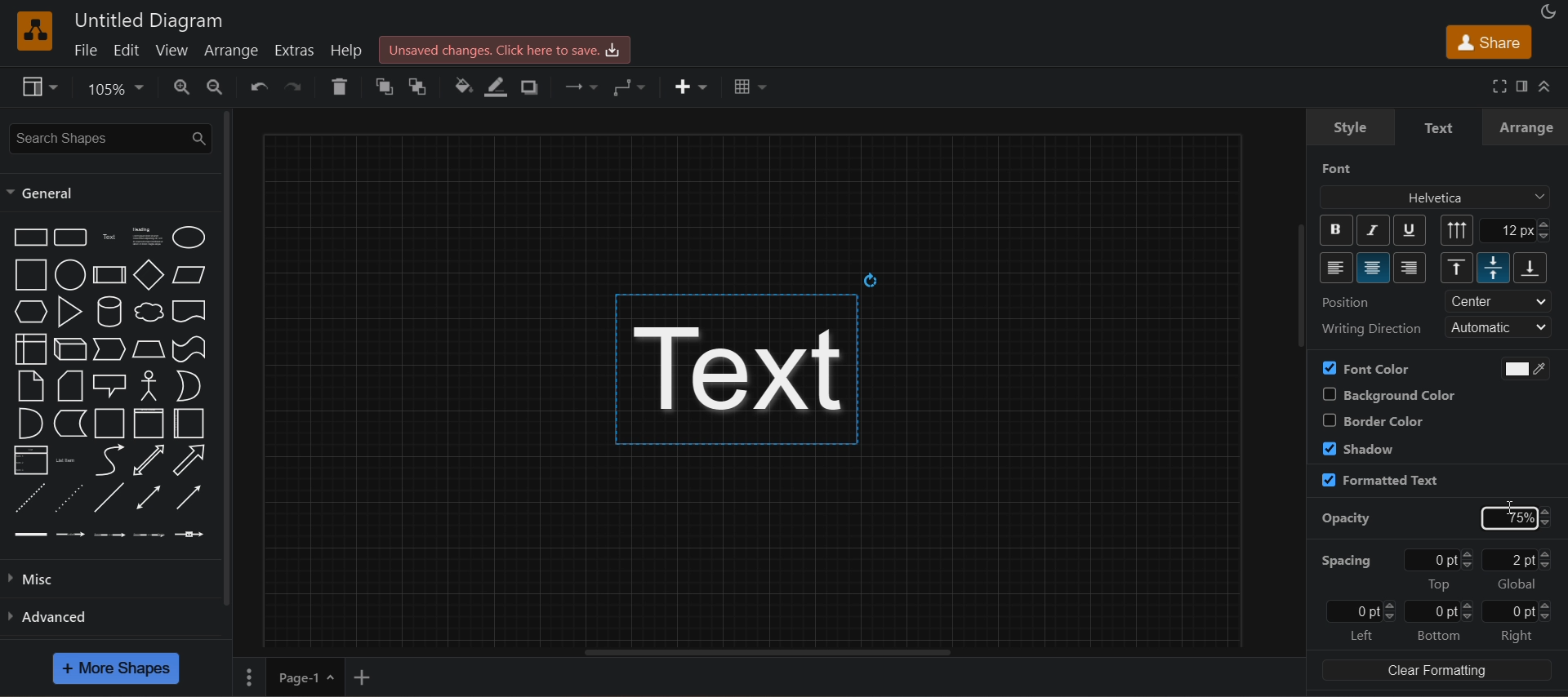  I want to click on vertical container, so click(149, 423).